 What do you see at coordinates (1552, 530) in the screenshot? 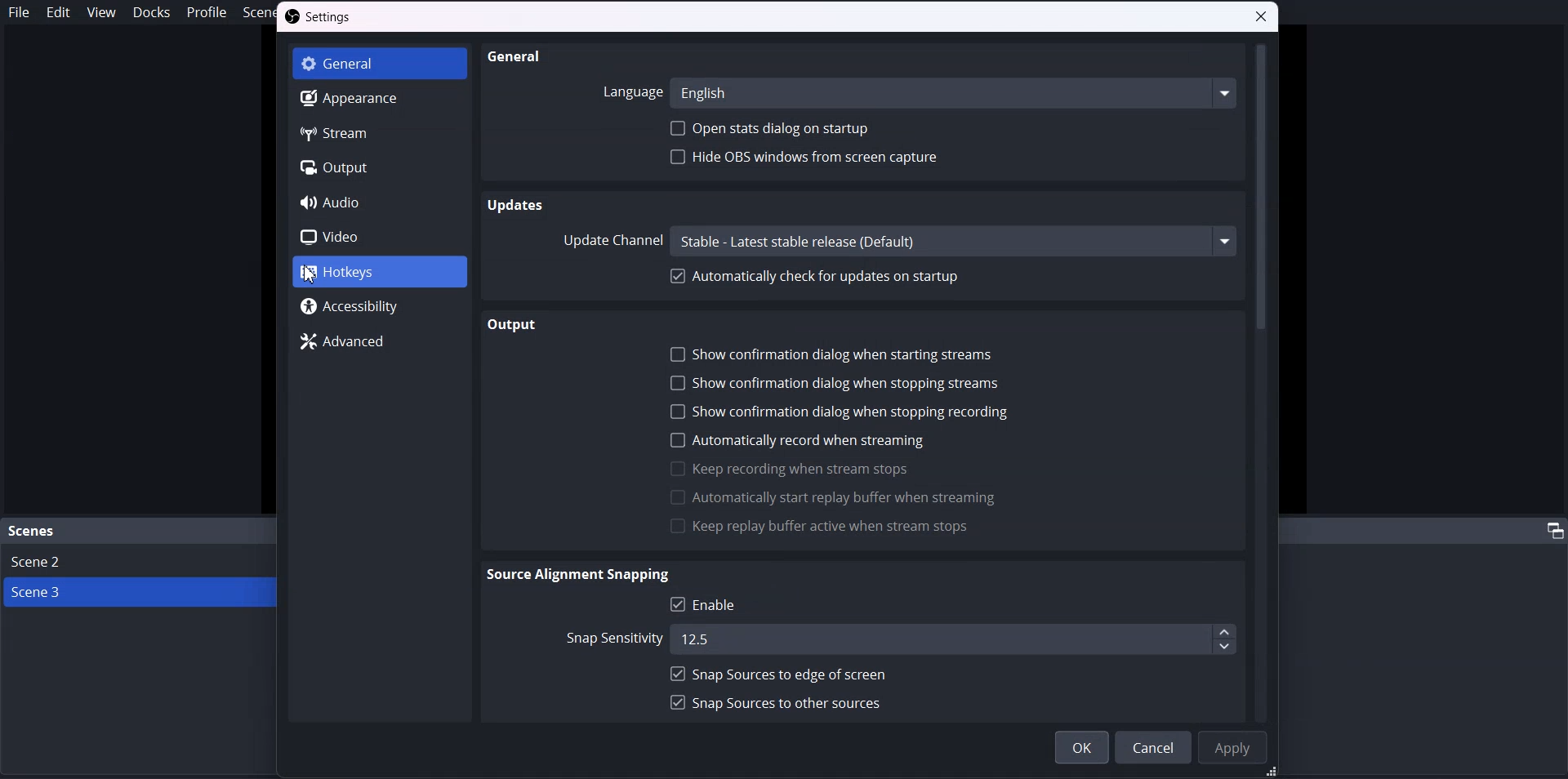
I see `adjust tab` at bounding box center [1552, 530].